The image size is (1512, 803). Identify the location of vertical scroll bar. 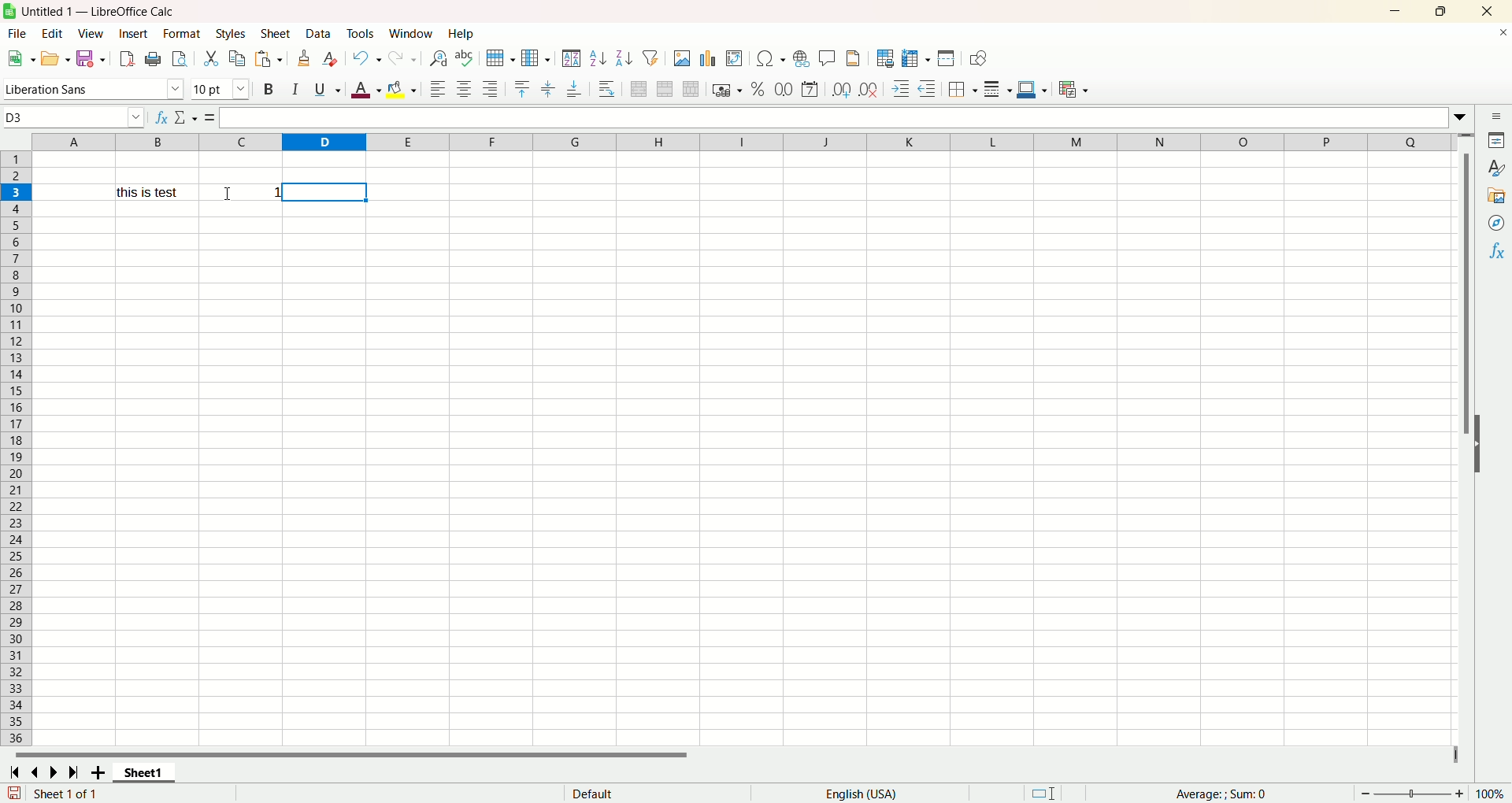
(1467, 271).